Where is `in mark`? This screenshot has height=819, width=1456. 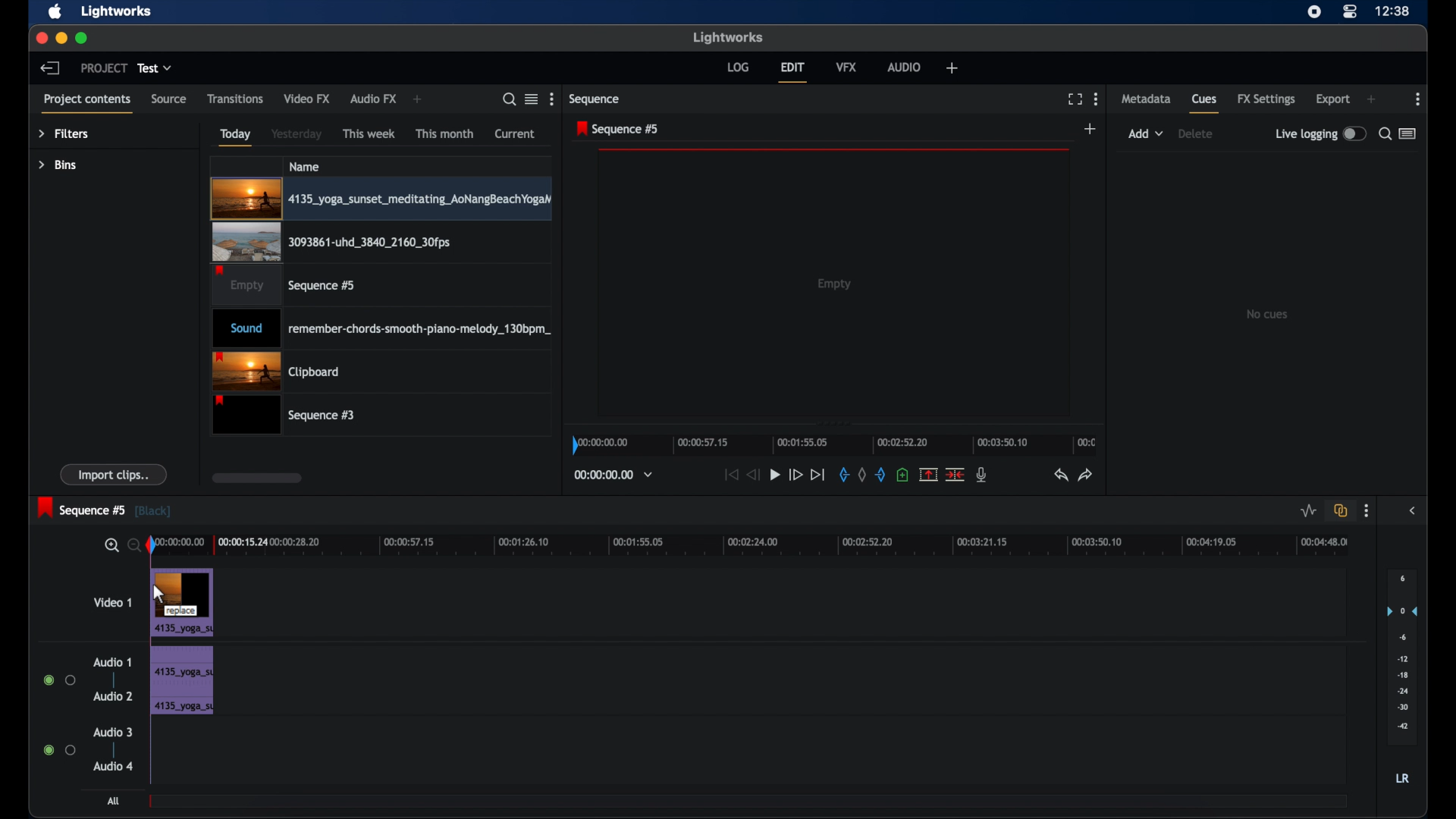
in mark is located at coordinates (843, 475).